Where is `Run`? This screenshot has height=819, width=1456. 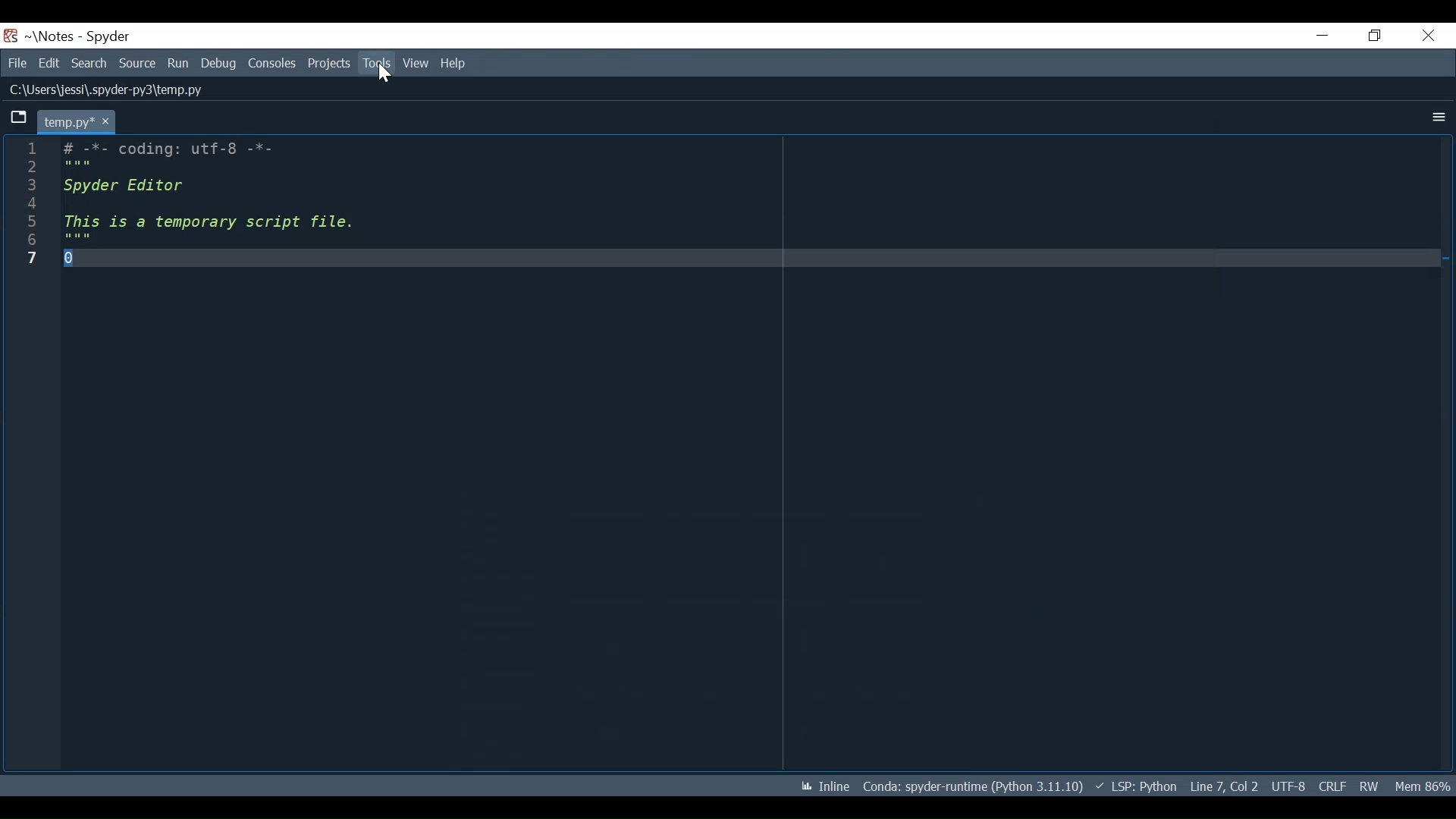
Run is located at coordinates (179, 64).